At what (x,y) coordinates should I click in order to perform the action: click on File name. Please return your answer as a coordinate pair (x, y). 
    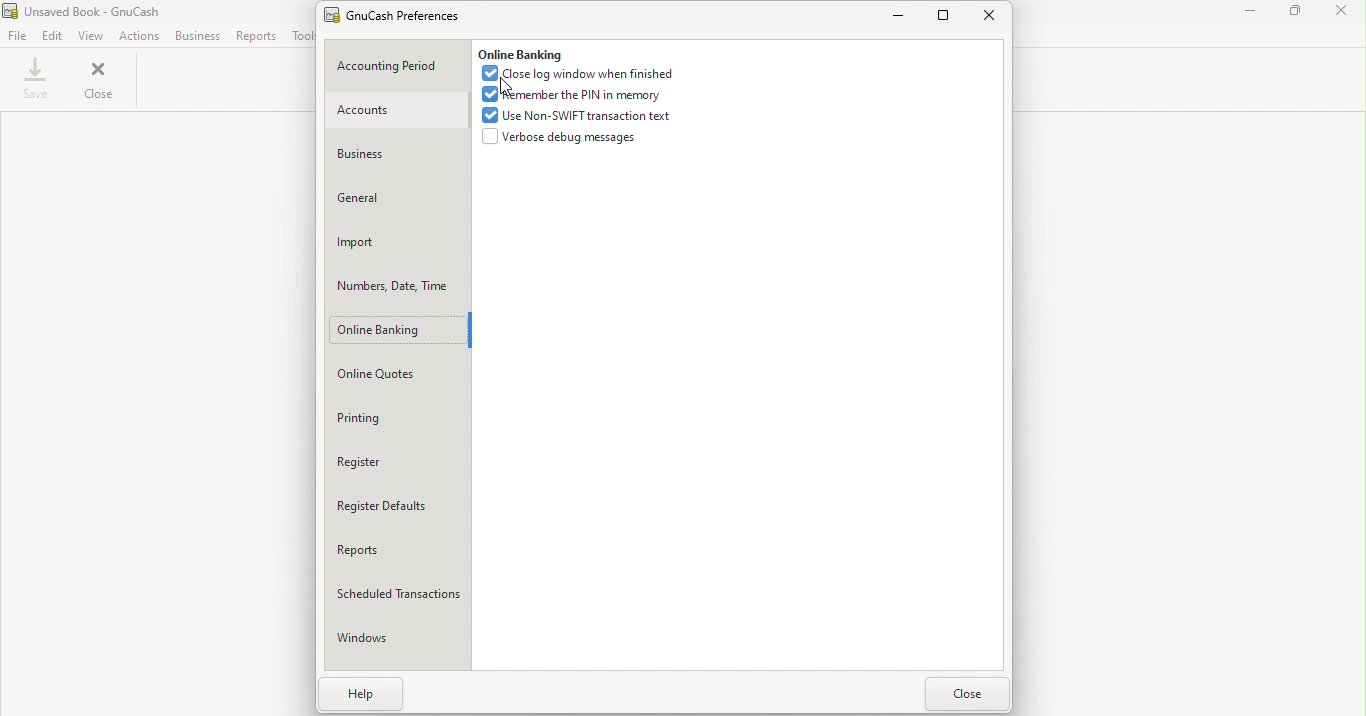
    Looking at the image, I should click on (93, 10).